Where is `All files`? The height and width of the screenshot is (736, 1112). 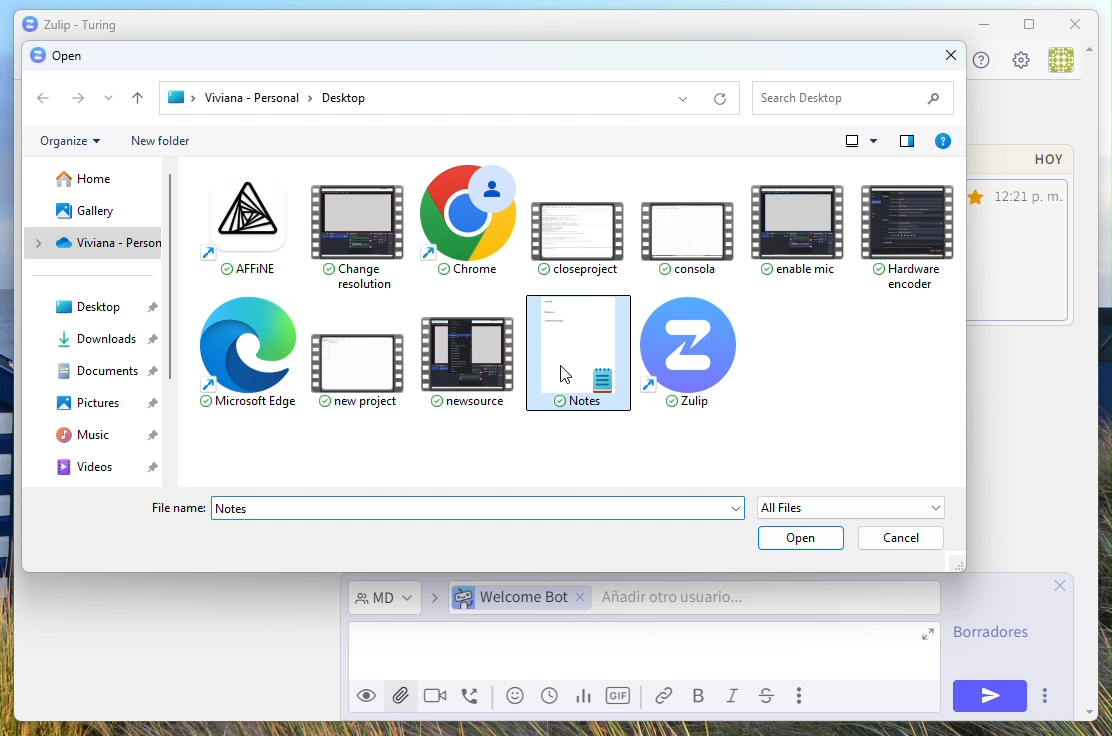
All files is located at coordinates (854, 507).